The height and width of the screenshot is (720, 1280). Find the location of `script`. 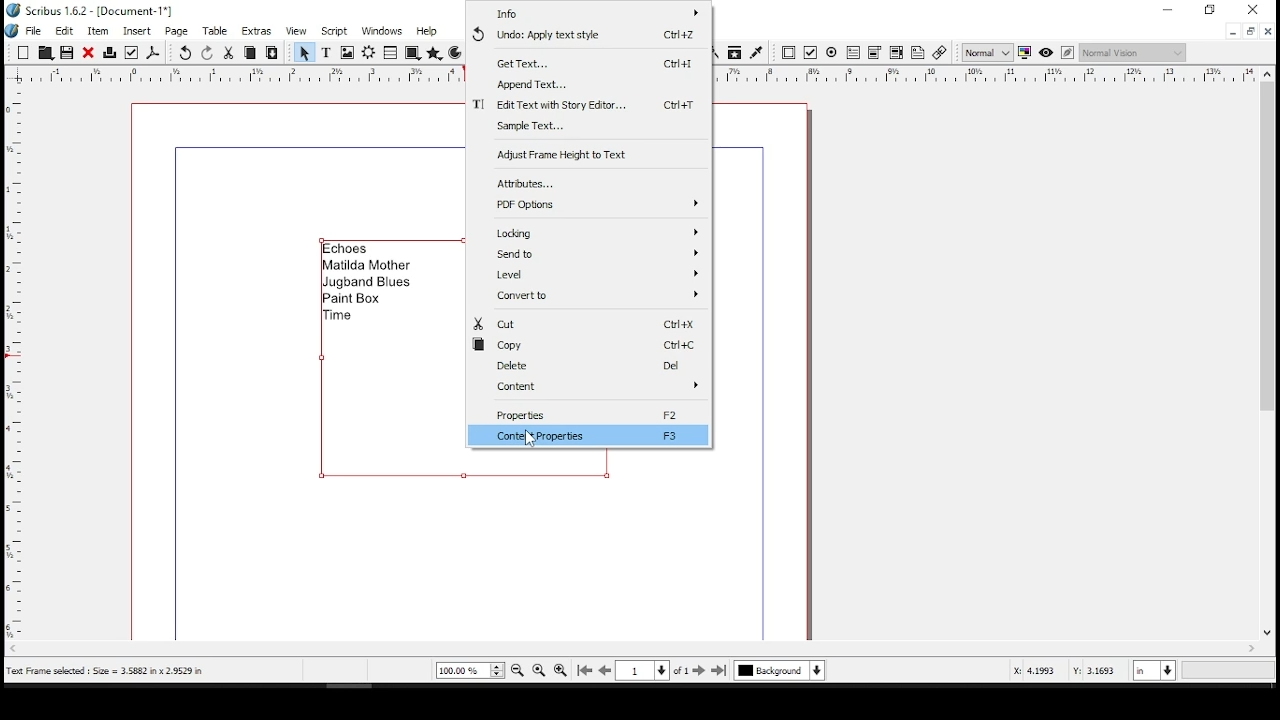

script is located at coordinates (333, 33).